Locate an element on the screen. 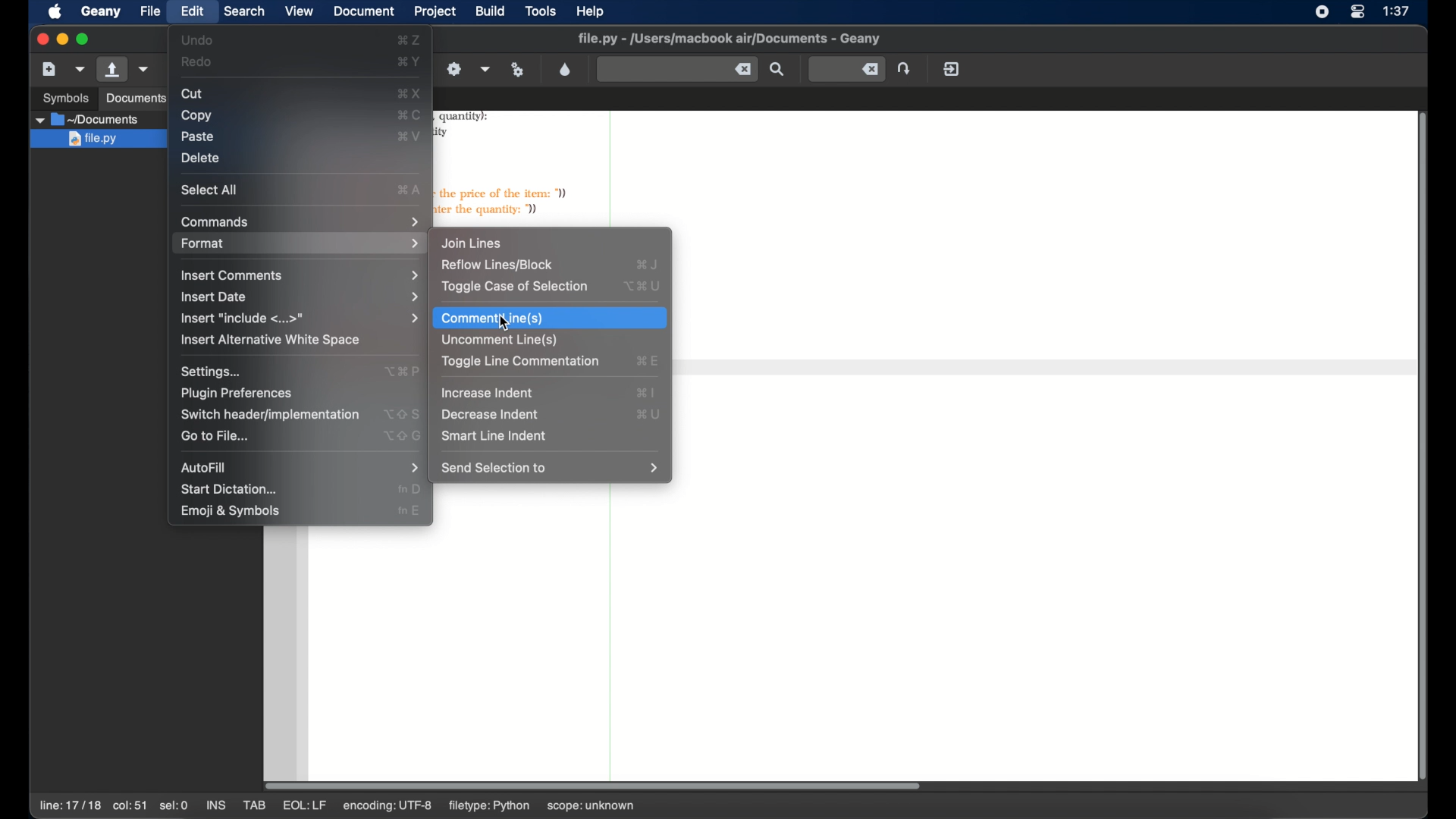  reflow lines/block is located at coordinates (649, 265).